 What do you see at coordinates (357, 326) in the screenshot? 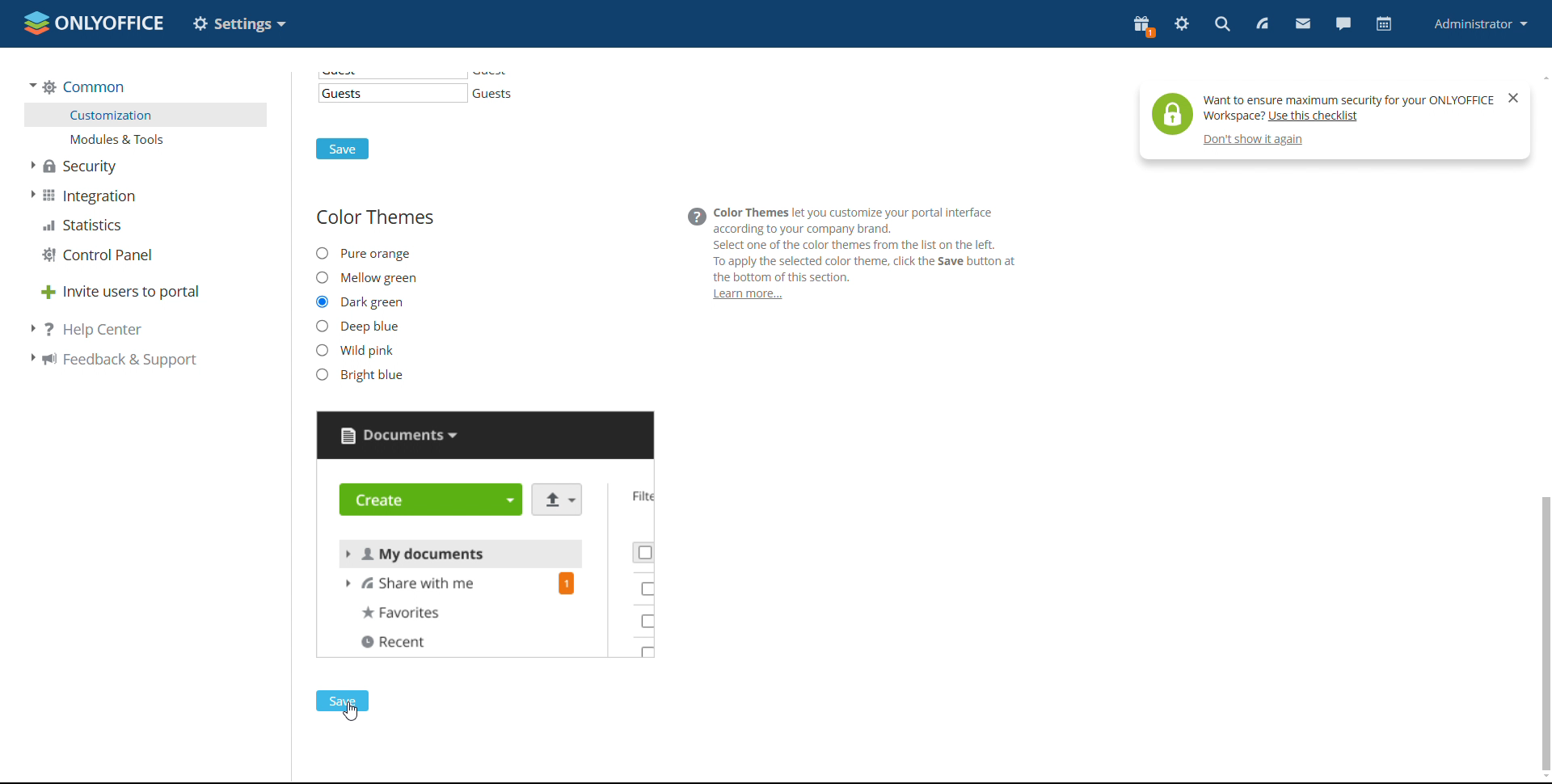
I see `deep blue` at bounding box center [357, 326].